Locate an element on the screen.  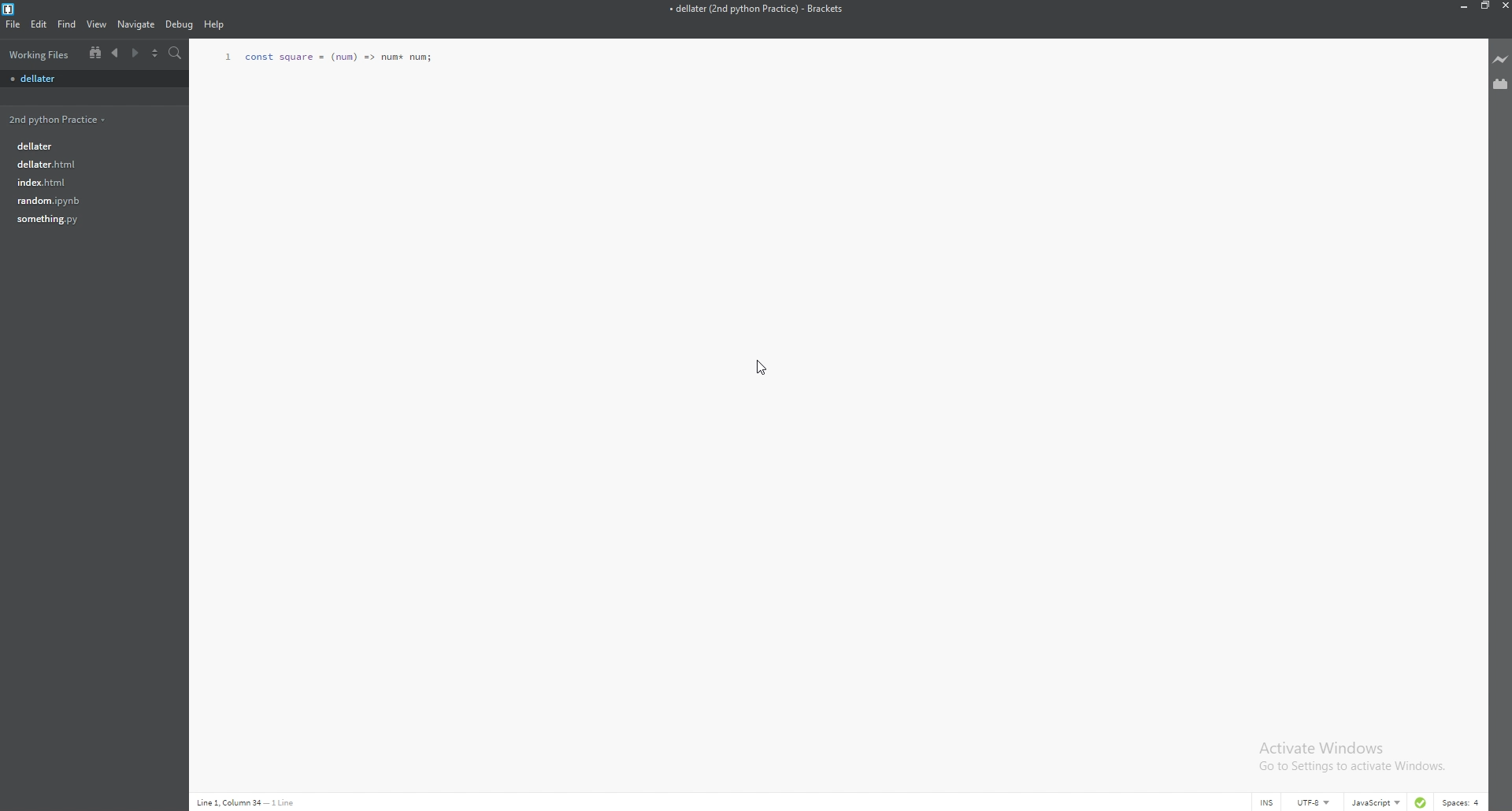
next is located at coordinates (136, 53).